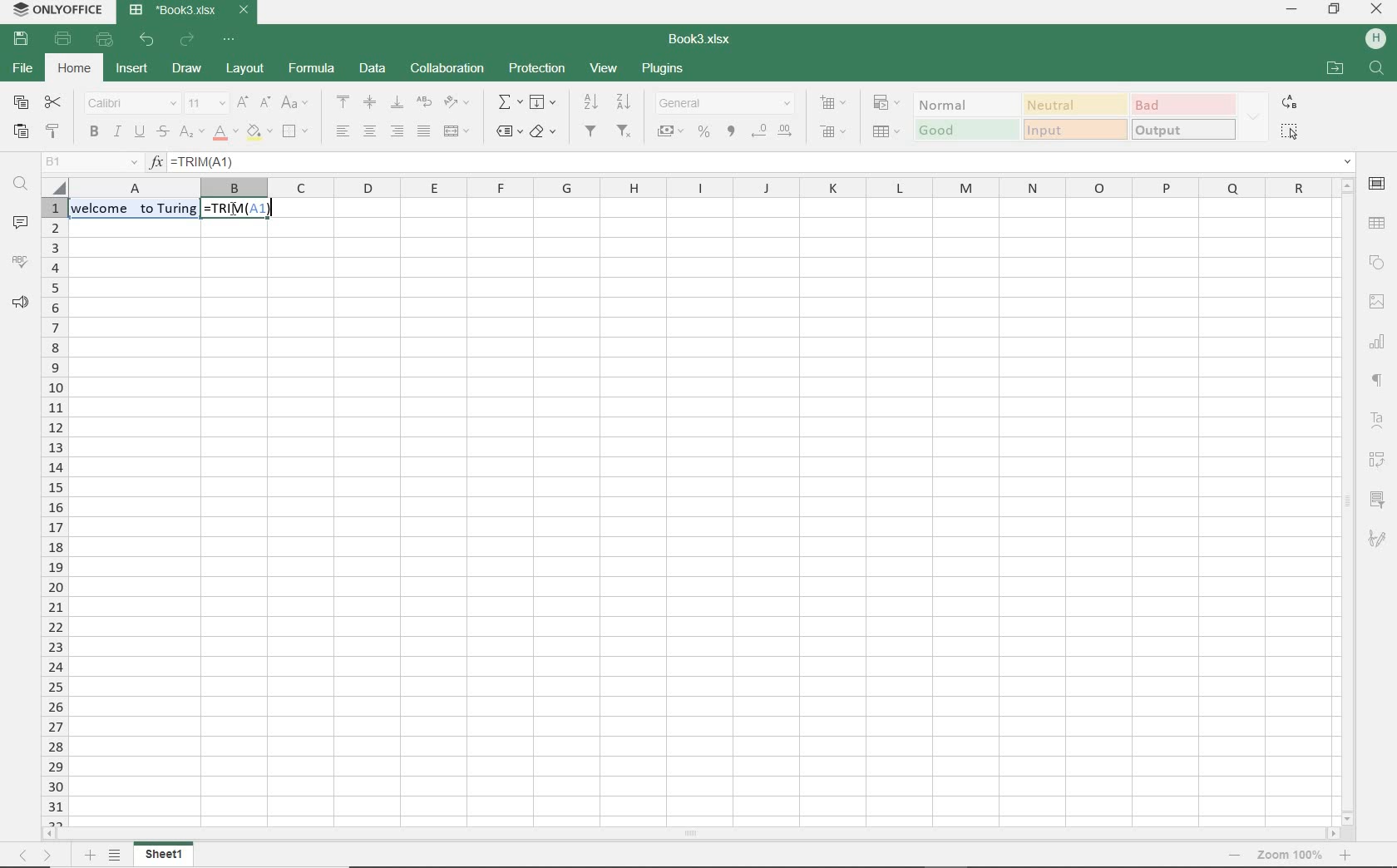 The width and height of the screenshot is (1397, 868). I want to click on cell settings, so click(1379, 184).